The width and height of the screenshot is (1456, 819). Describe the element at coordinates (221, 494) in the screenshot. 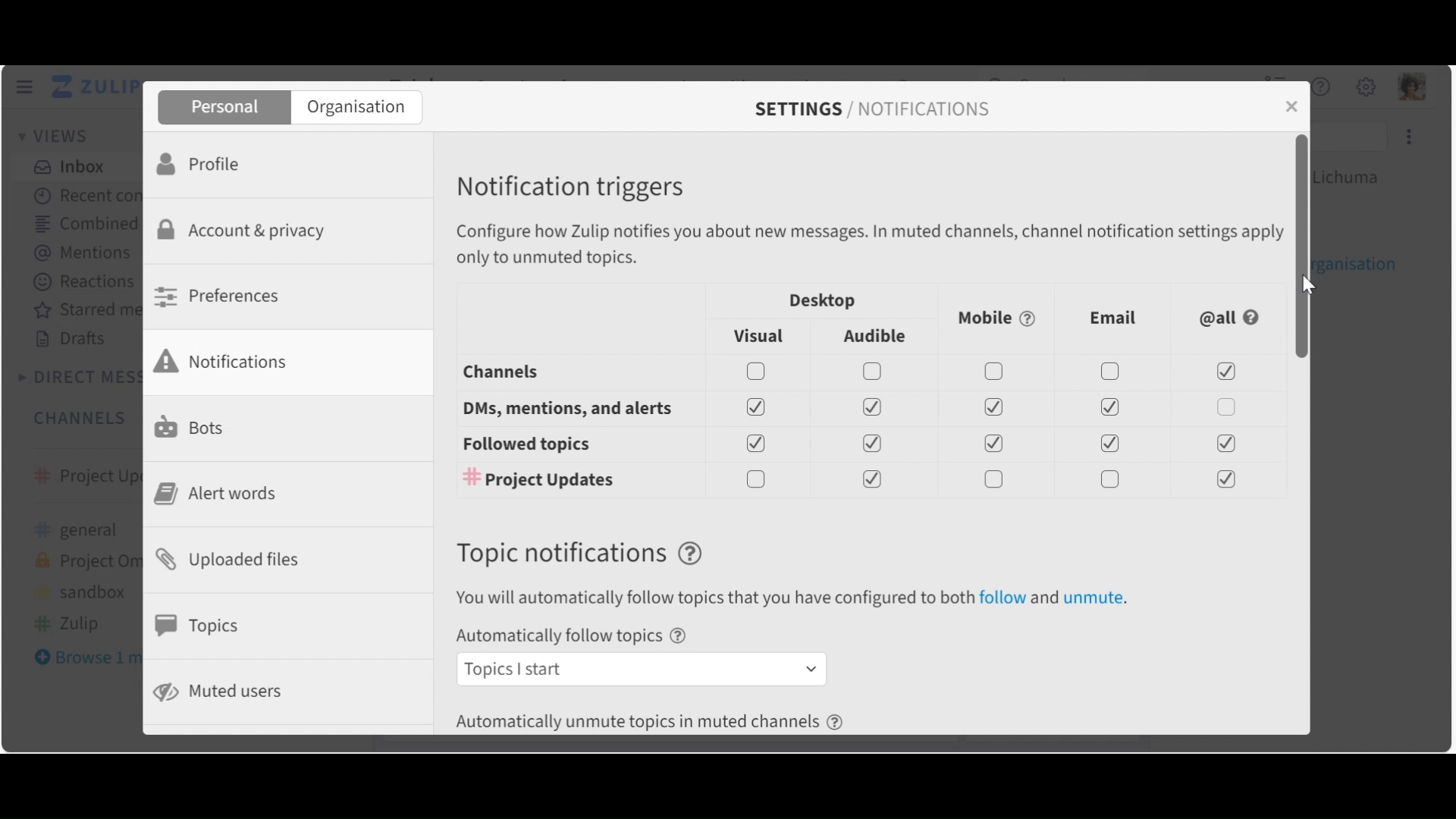

I see `Alert Words` at that location.